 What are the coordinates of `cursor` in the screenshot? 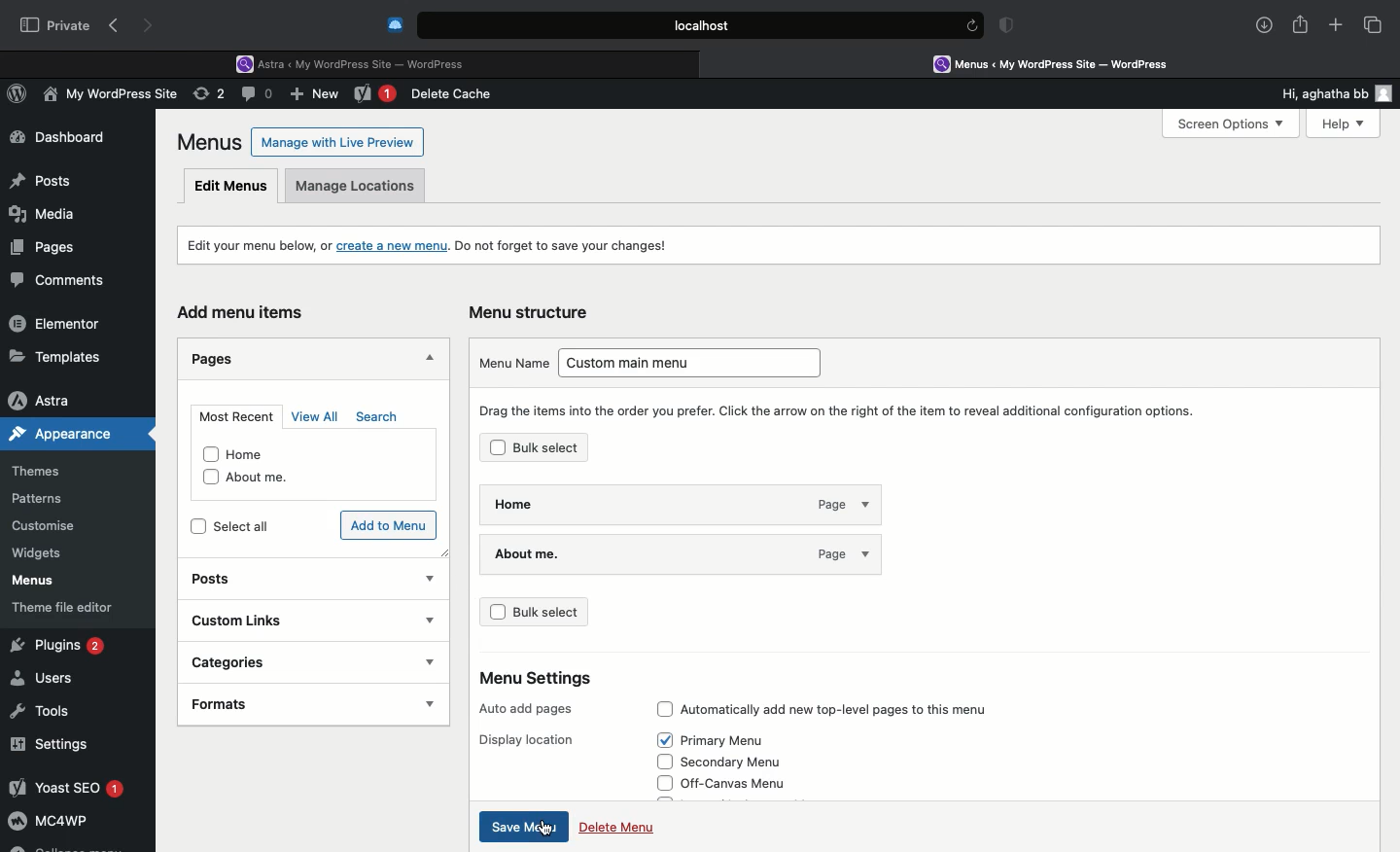 It's located at (537, 828).